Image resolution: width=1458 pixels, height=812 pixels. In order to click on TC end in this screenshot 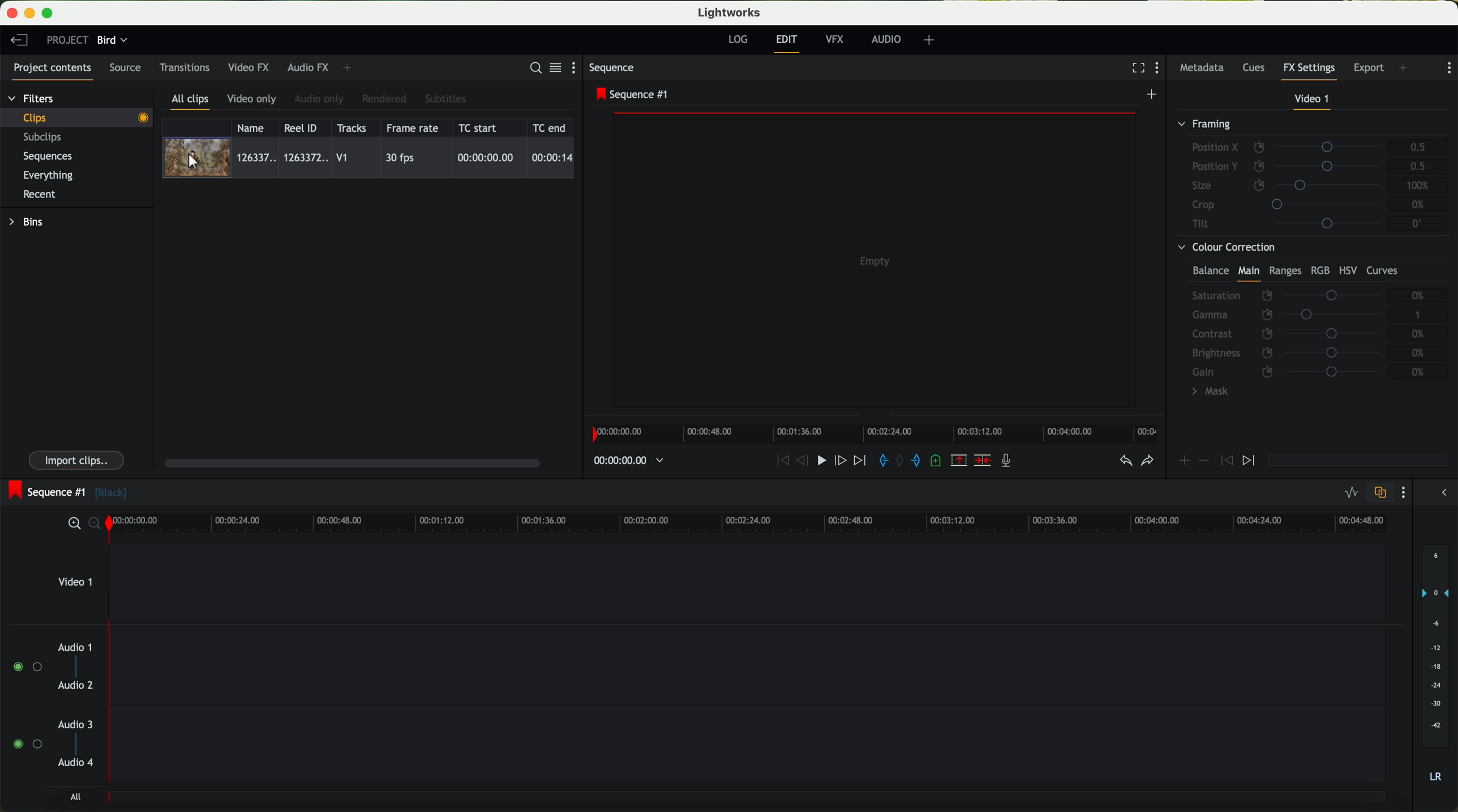, I will do `click(550, 127)`.